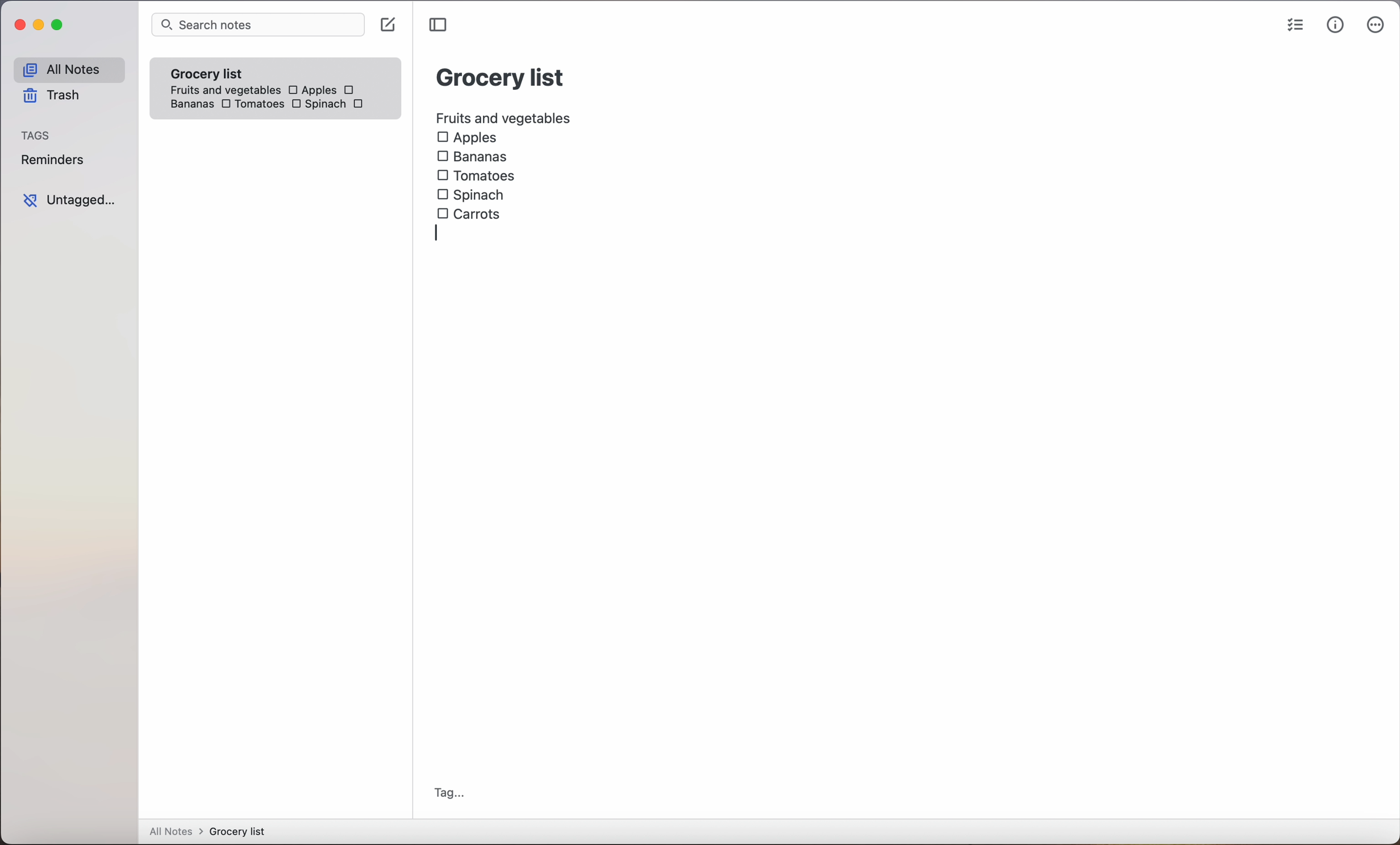  Describe the element at coordinates (505, 116) in the screenshot. I see `fruits and vegetables` at that location.